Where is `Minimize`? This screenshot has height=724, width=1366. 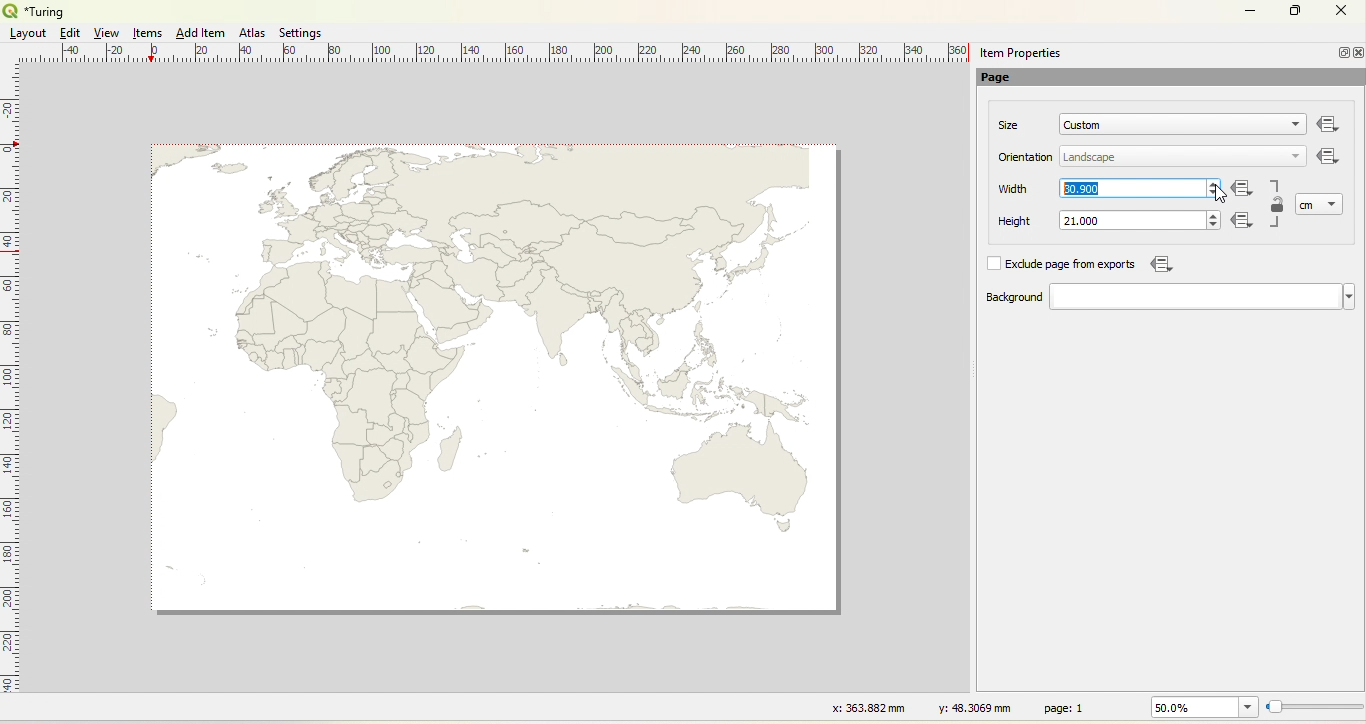 Minimize is located at coordinates (1341, 52).